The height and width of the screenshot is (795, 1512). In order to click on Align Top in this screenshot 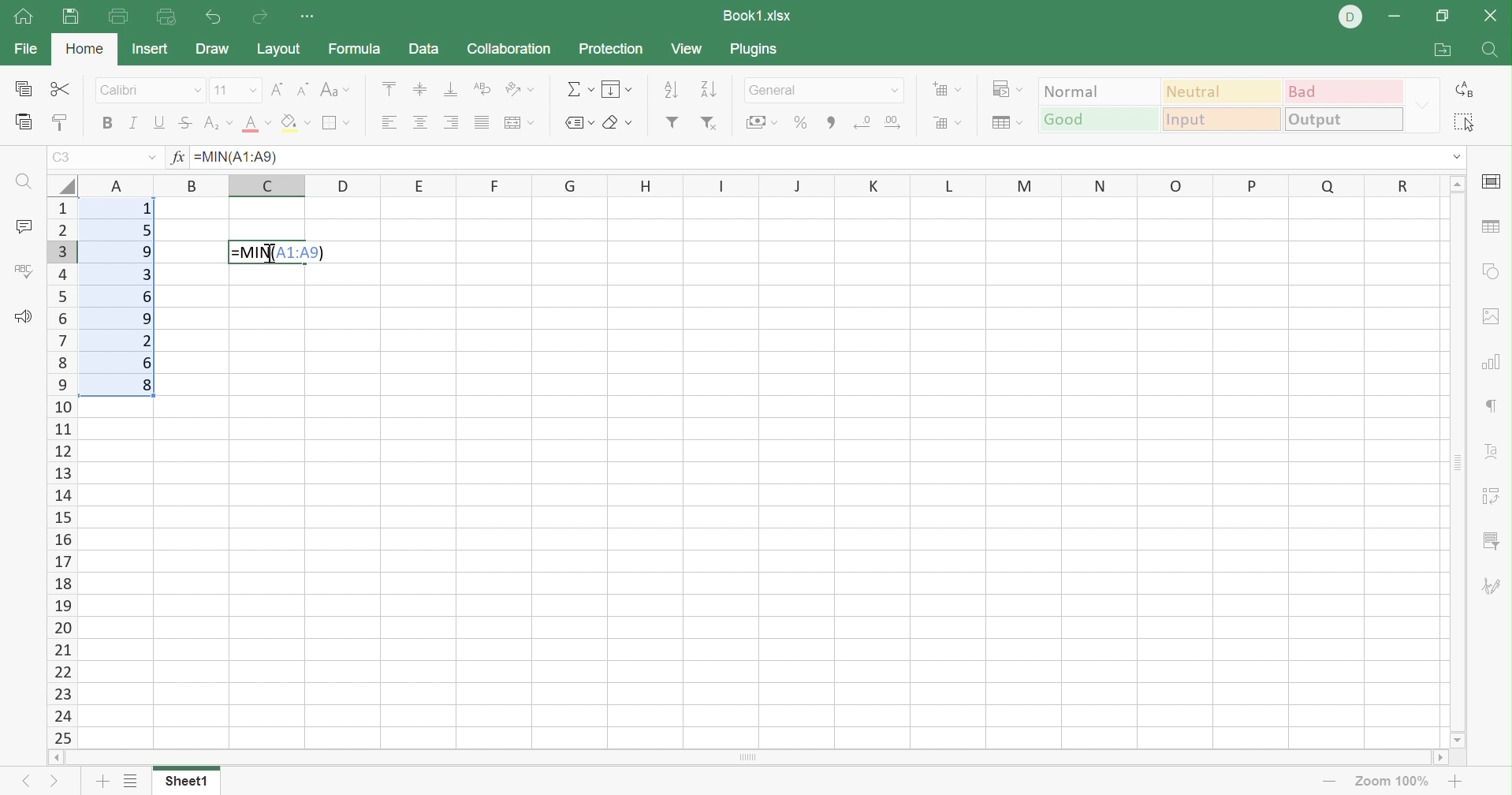, I will do `click(391, 88)`.